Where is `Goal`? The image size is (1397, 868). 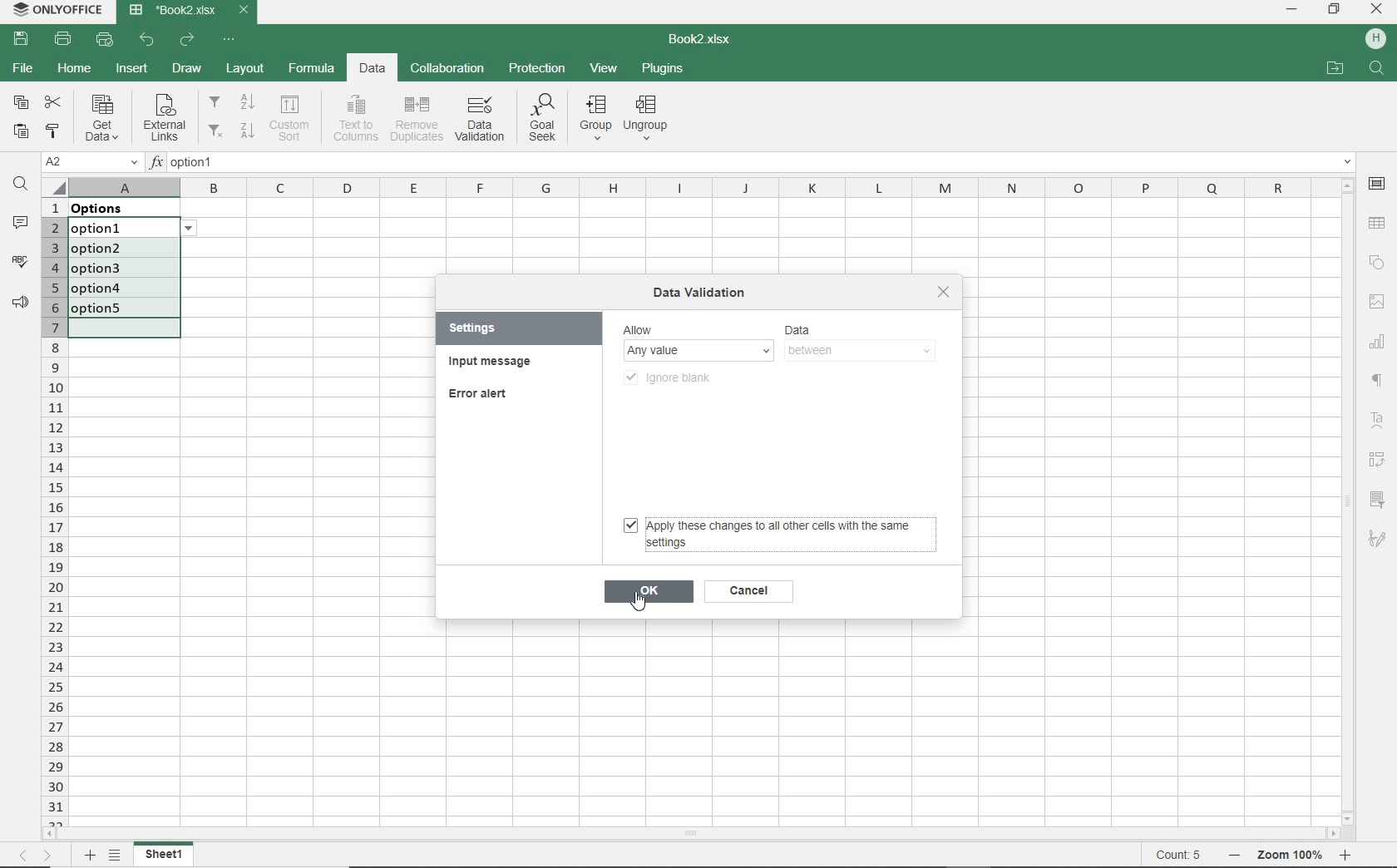 Goal is located at coordinates (540, 121).